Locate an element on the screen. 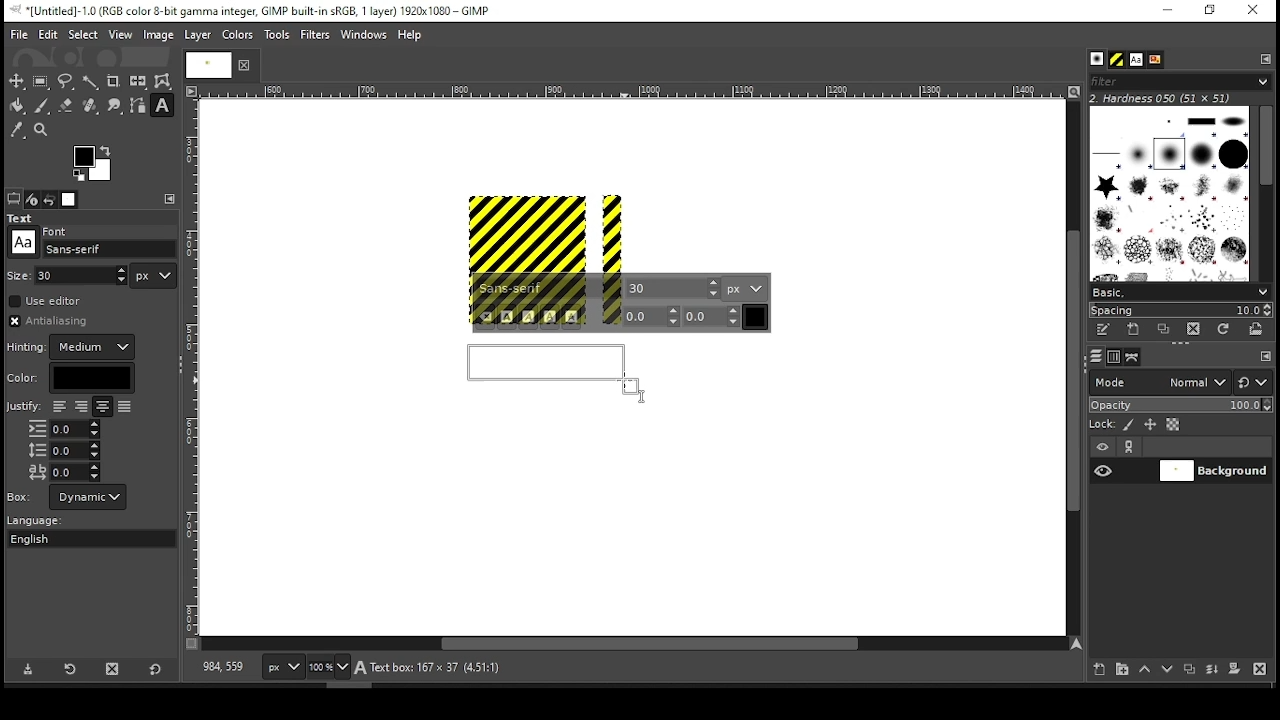 Image resolution: width=1280 pixels, height=720 pixels. file is located at coordinates (19, 35).